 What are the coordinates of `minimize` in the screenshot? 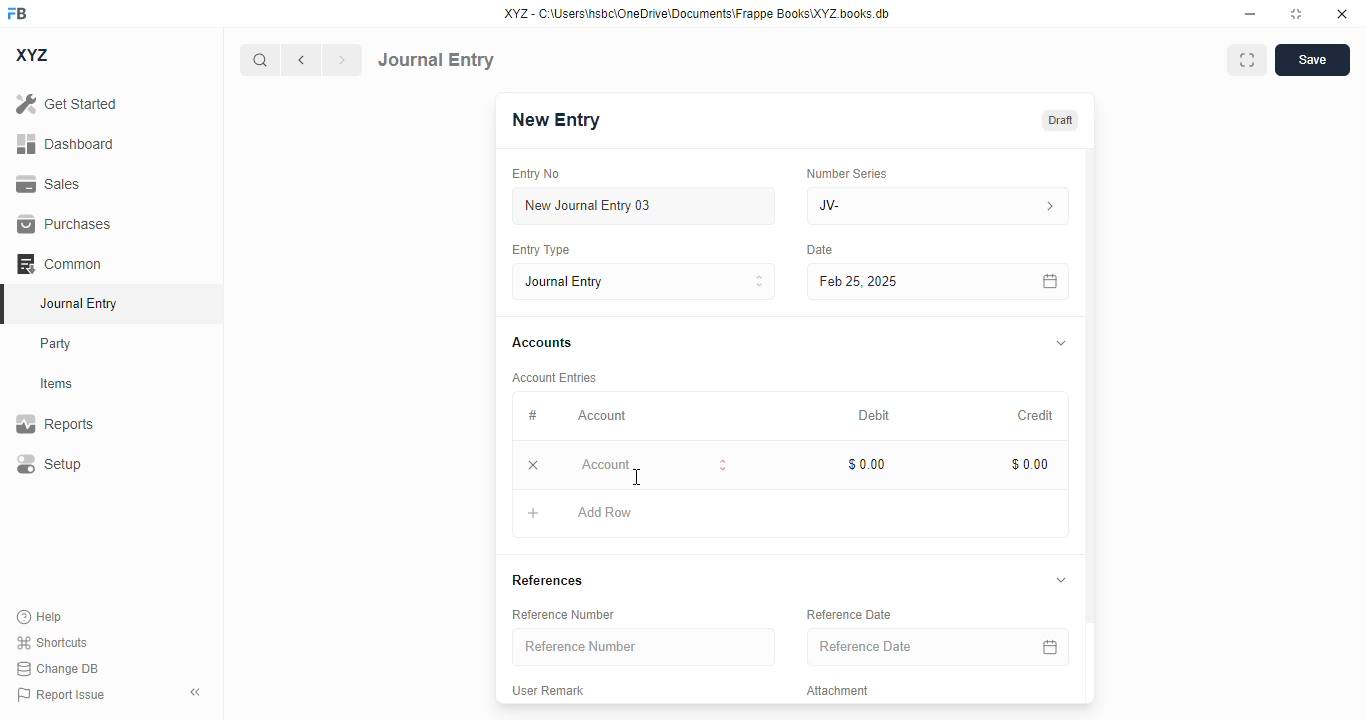 It's located at (1251, 13).